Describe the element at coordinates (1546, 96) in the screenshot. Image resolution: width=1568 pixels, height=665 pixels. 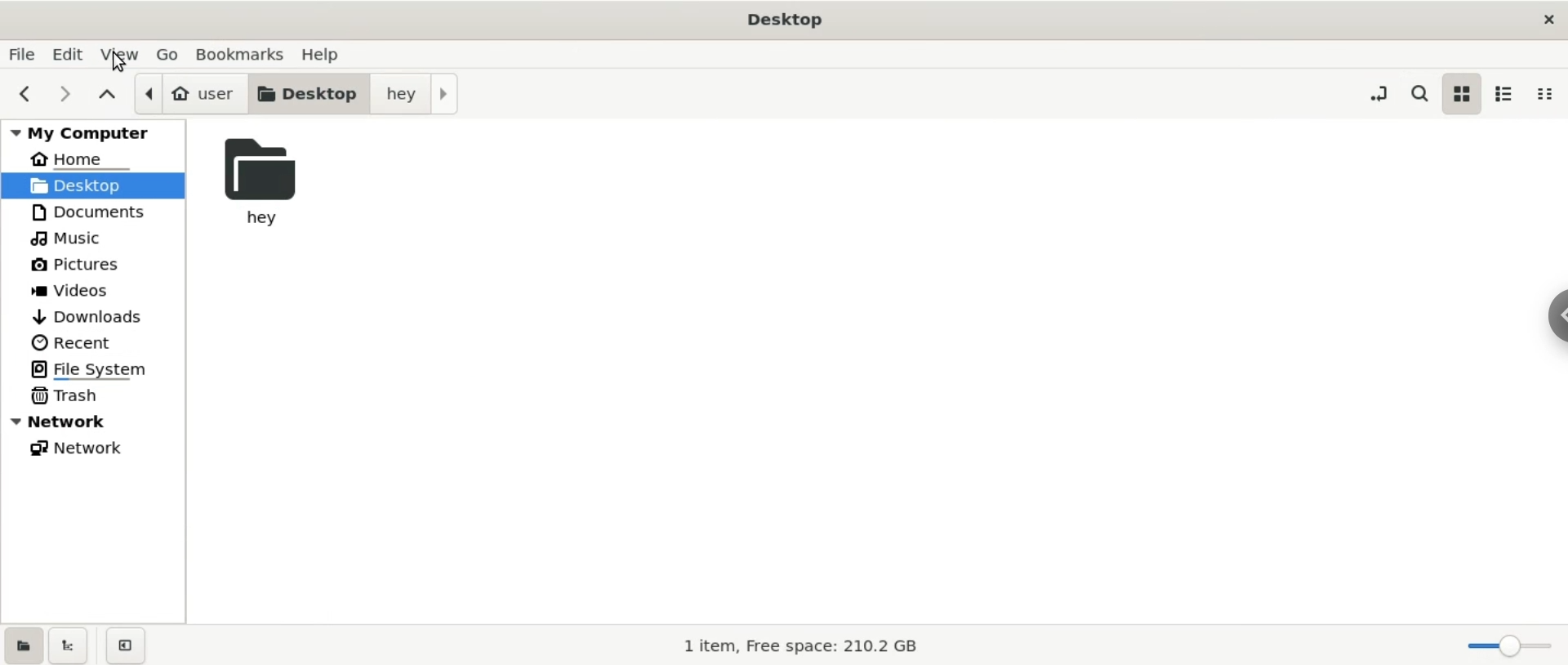
I see `compact view` at that location.